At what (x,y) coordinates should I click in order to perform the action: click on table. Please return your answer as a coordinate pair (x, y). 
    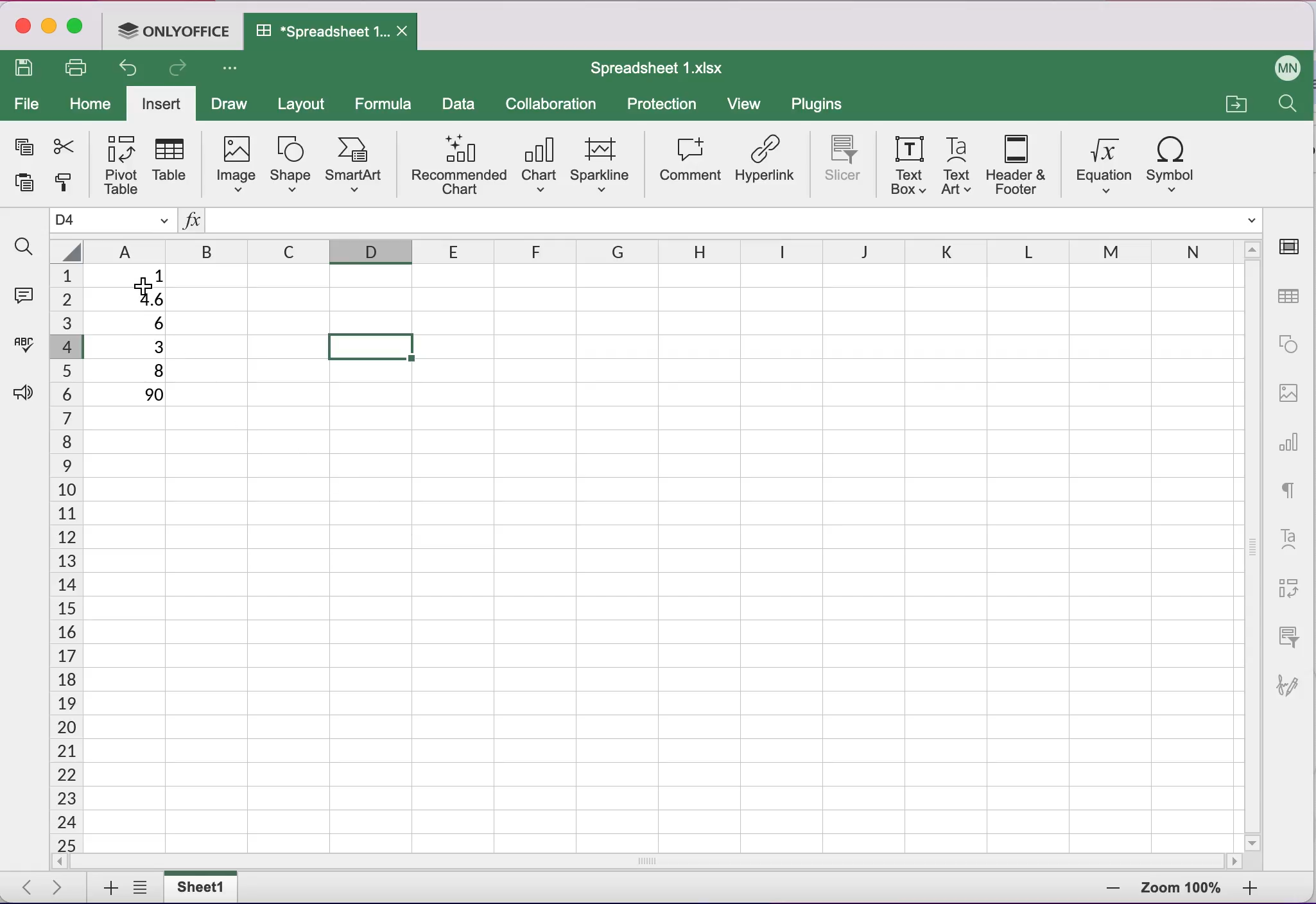
    Looking at the image, I should click on (173, 164).